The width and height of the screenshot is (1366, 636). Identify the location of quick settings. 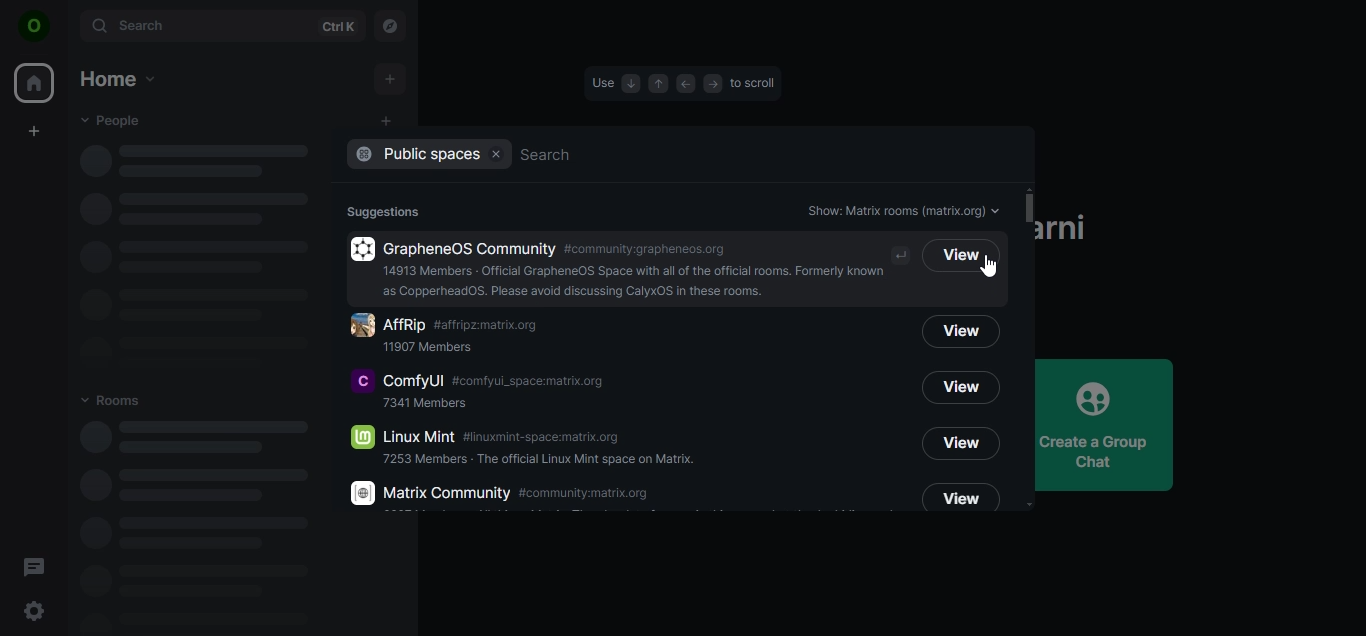
(34, 611).